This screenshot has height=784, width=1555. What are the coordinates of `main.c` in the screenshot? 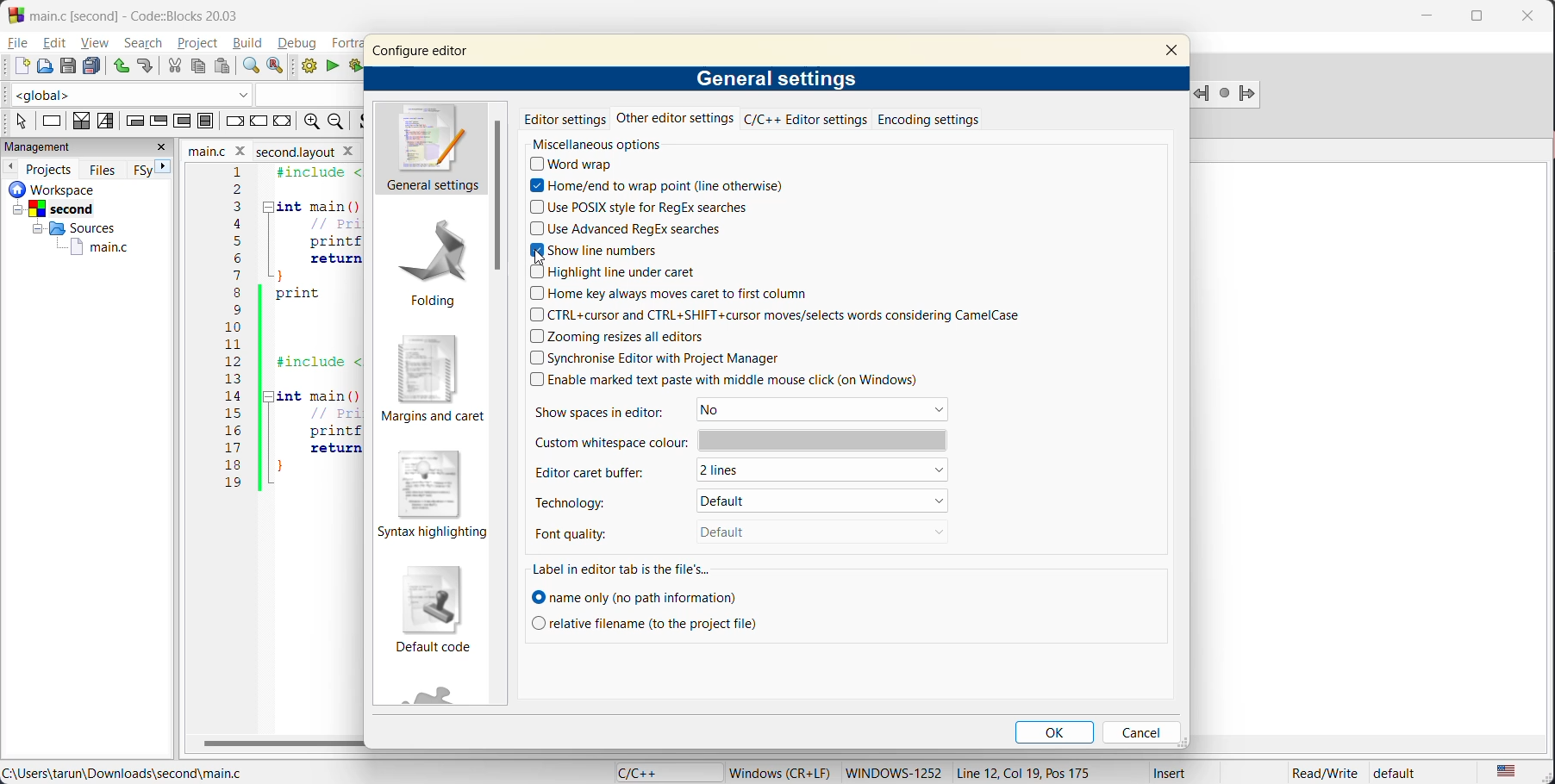 It's located at (87, 246).